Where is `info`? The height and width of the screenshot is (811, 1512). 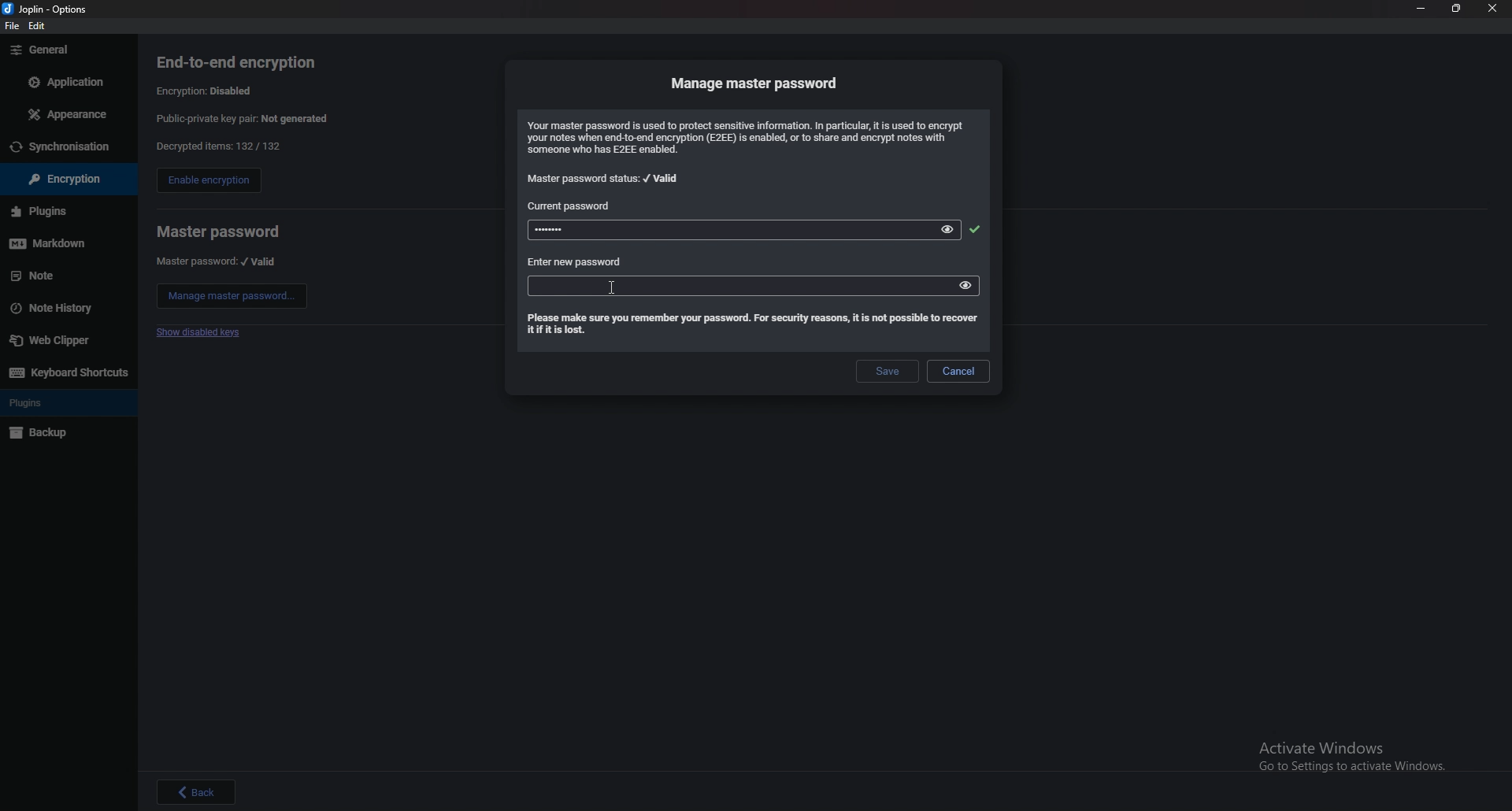 info is located at coordinates (750, 325).